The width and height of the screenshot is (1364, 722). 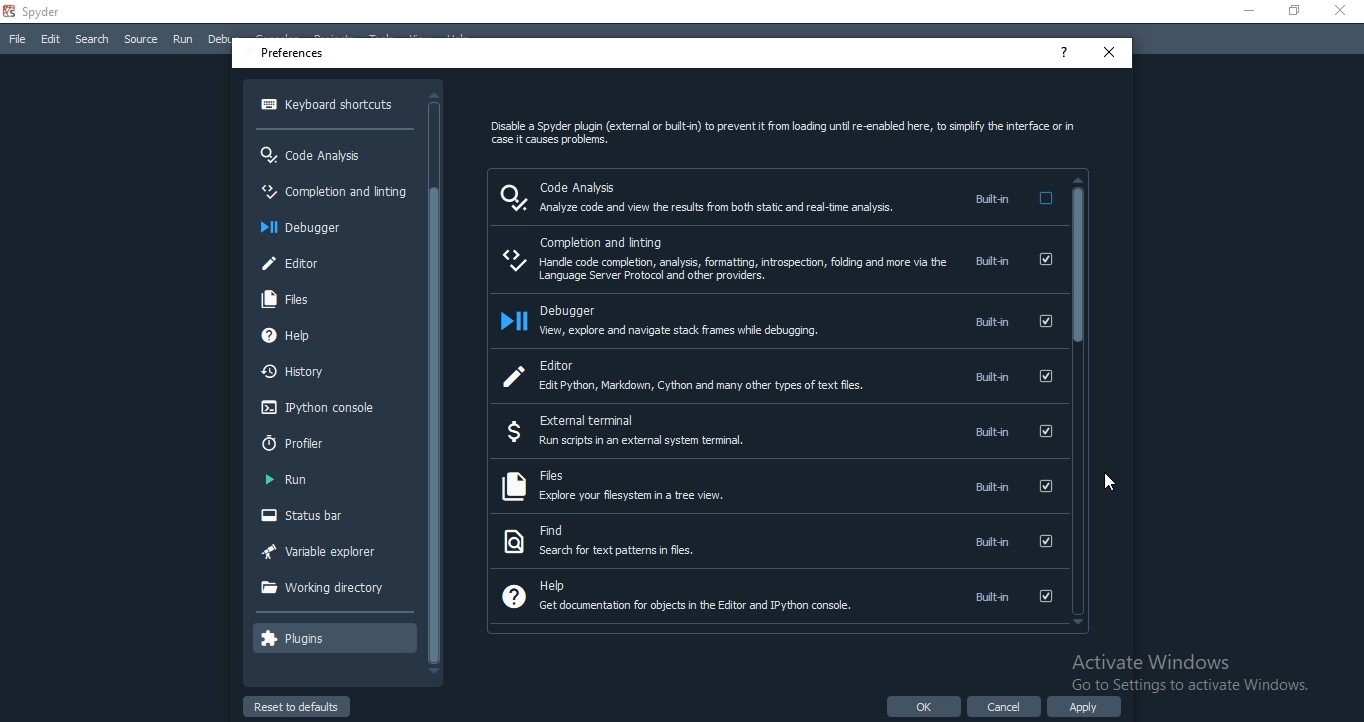 I want to click on scroll bar, so click(x=434, y=377).